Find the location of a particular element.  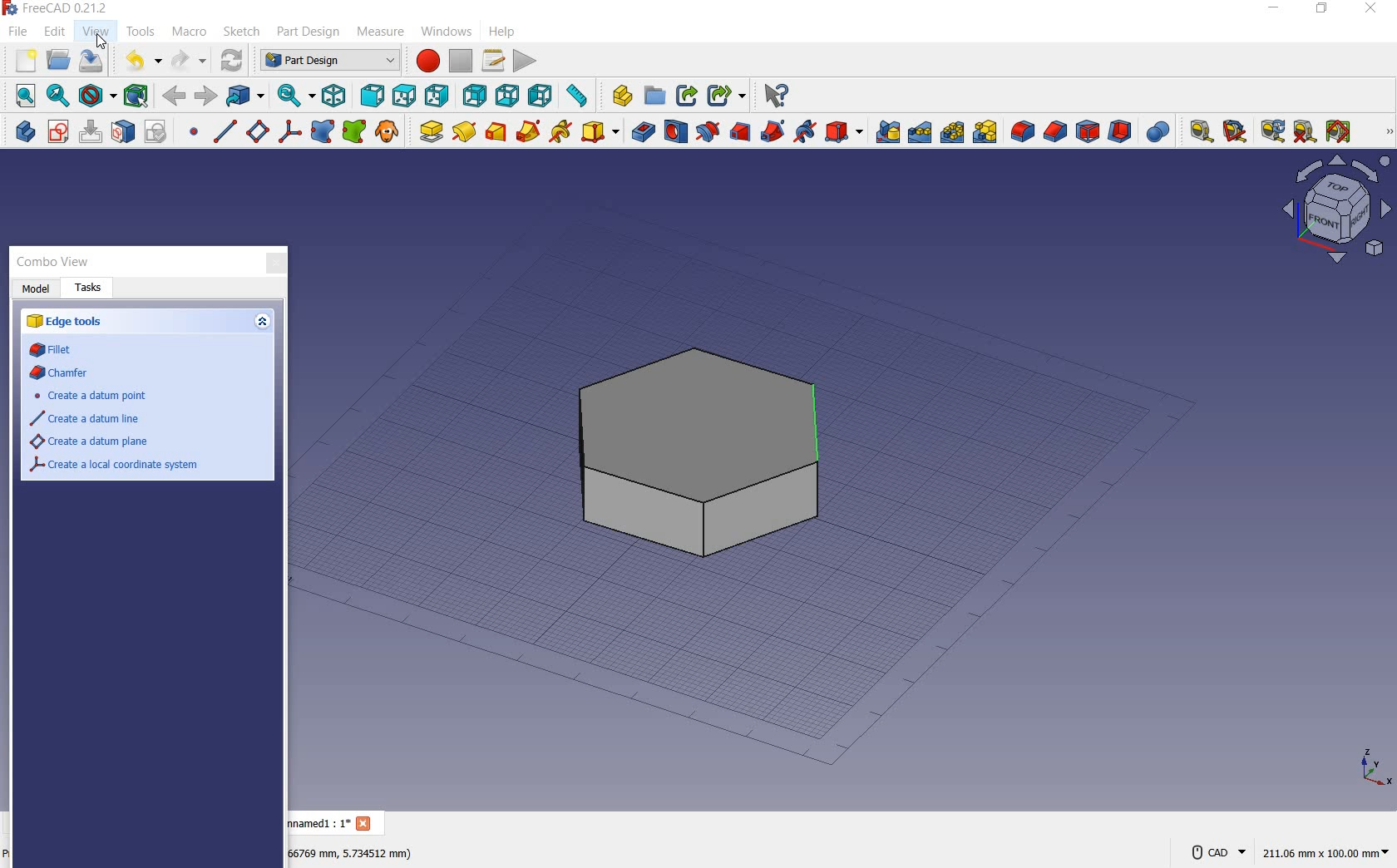

close is located at coordinates (274, 264).